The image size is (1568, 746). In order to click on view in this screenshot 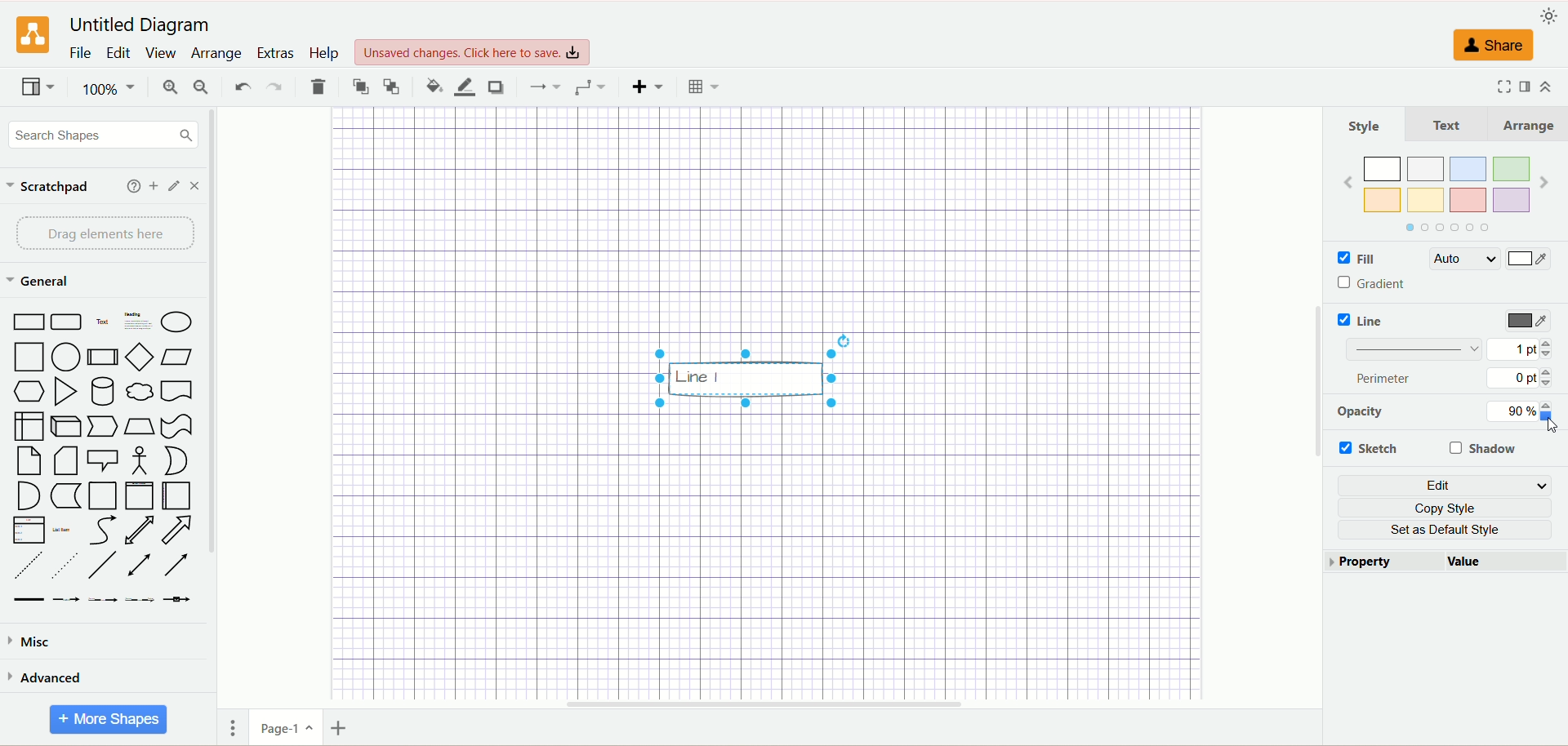, I will do `click(161, 53)`.